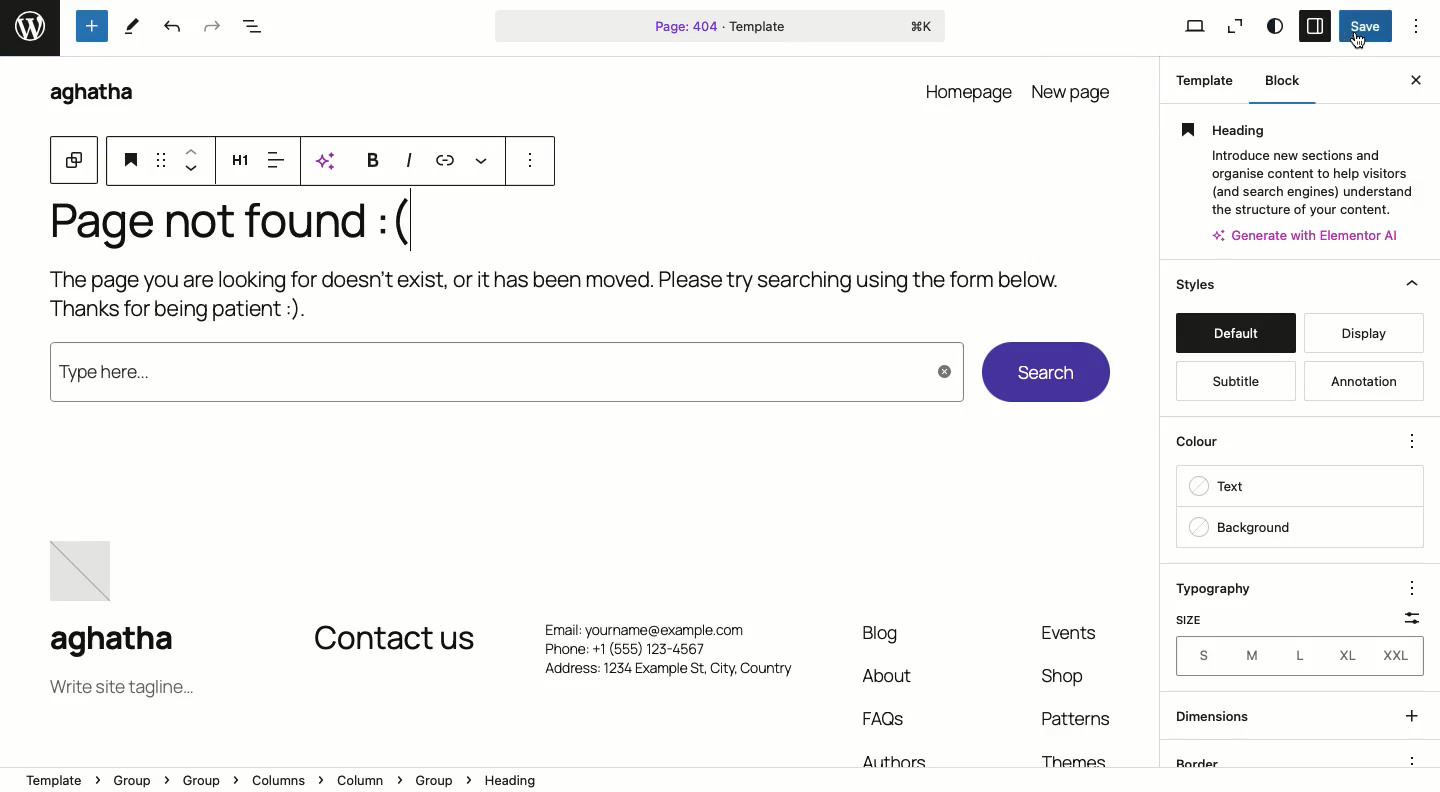  What do you see at coordinates (498, 373) in the screenshot?
I see `type here` at bounding box center [498, 373].